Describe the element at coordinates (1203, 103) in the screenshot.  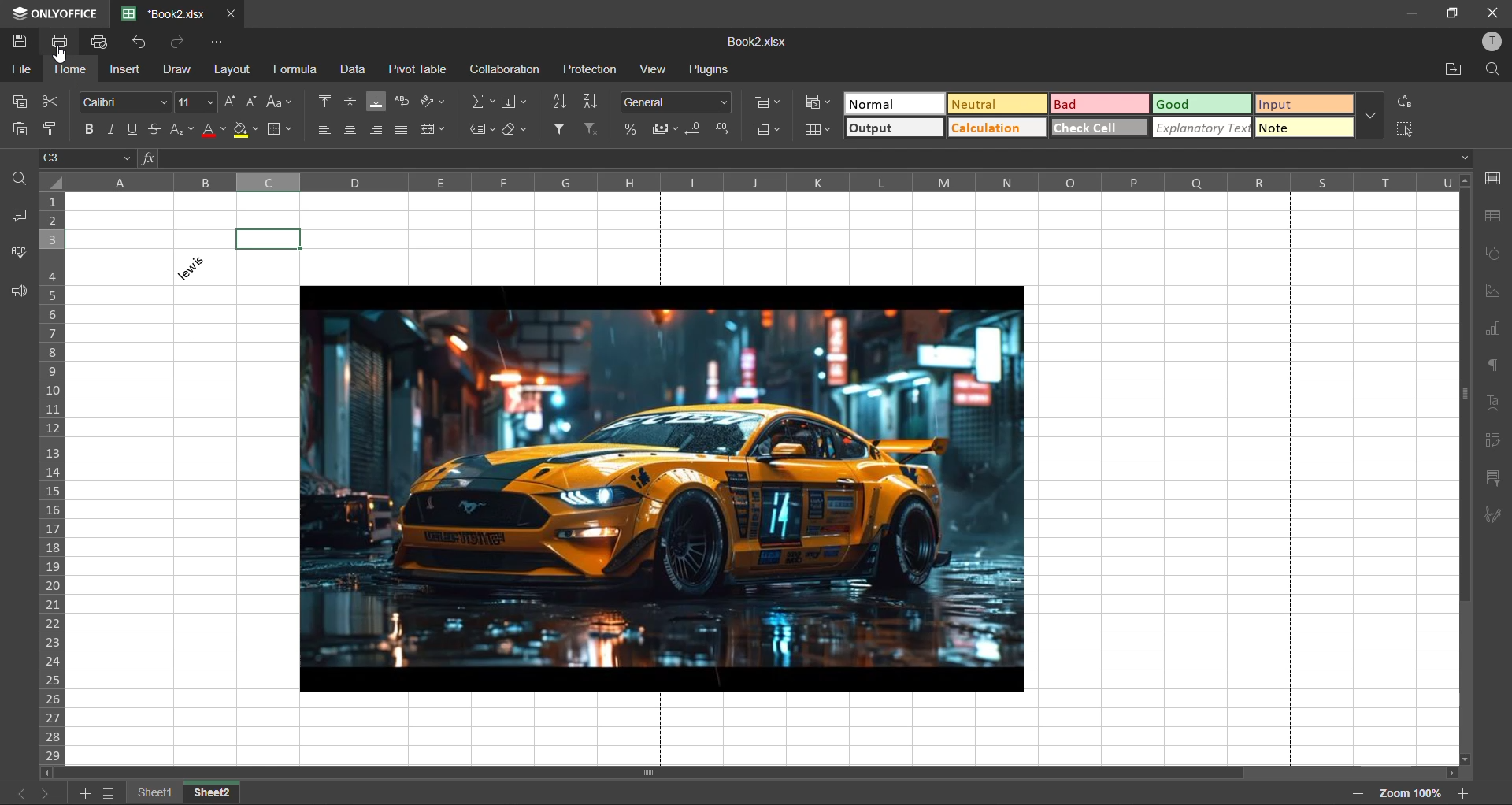
I see `good` at that location.